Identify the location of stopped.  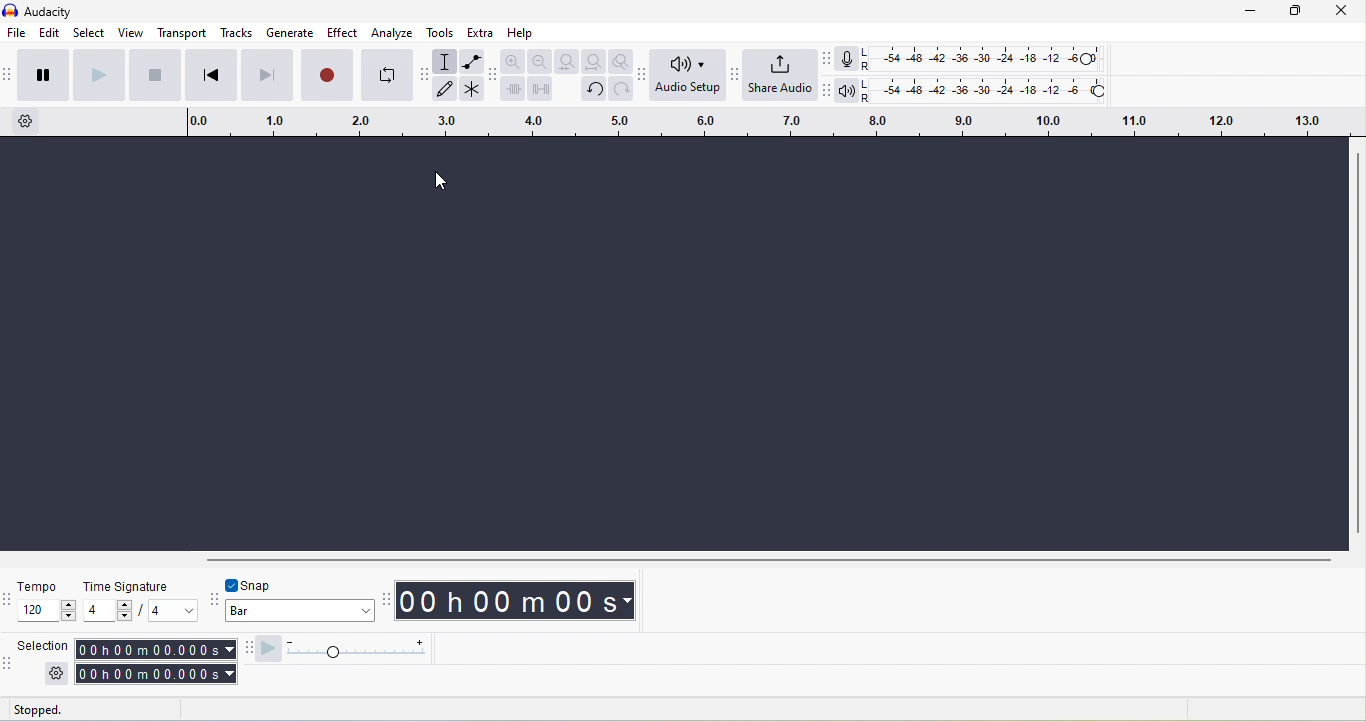
(62, 711).